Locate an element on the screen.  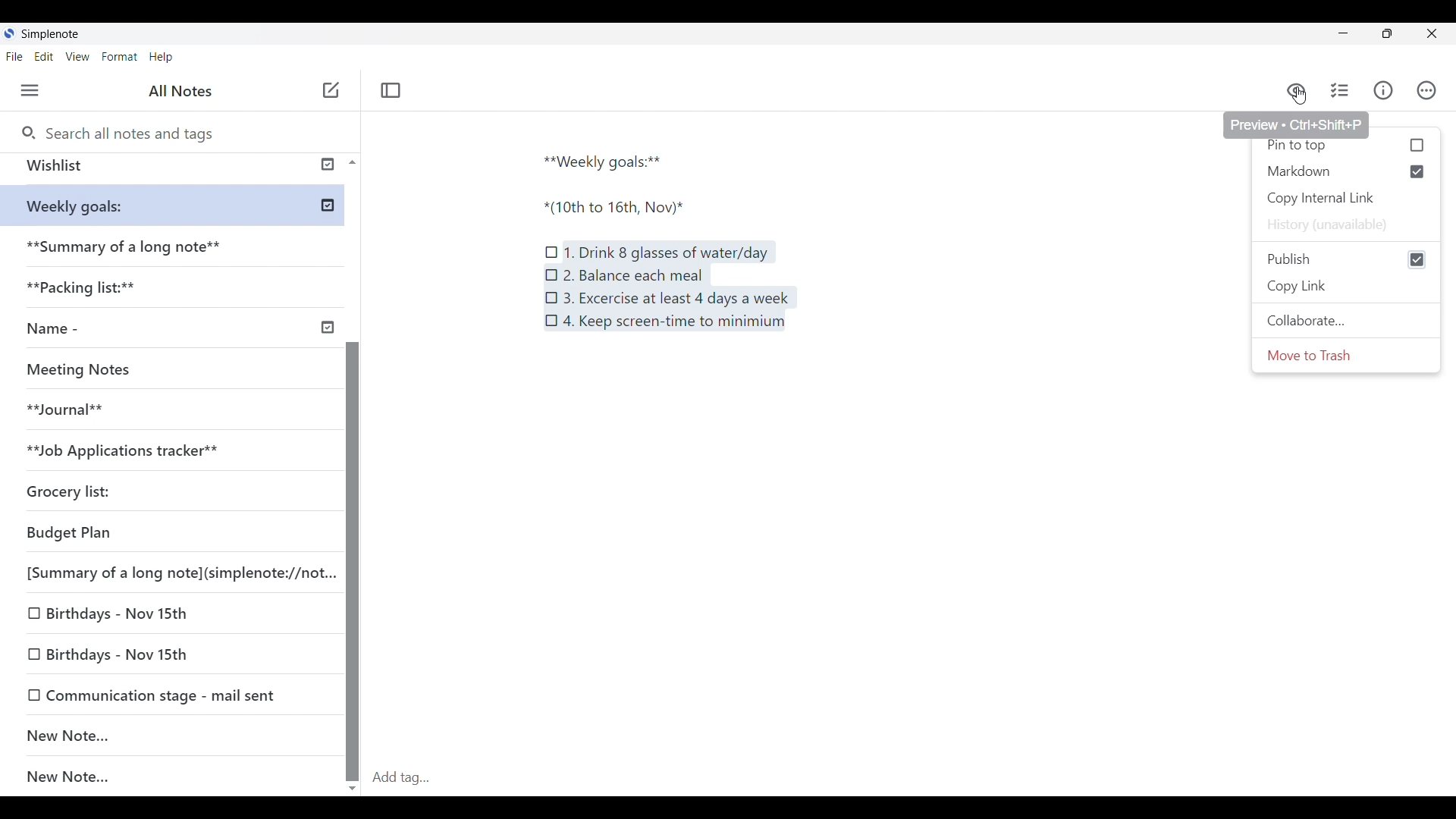
restore is located at coordinates (1400, 36).